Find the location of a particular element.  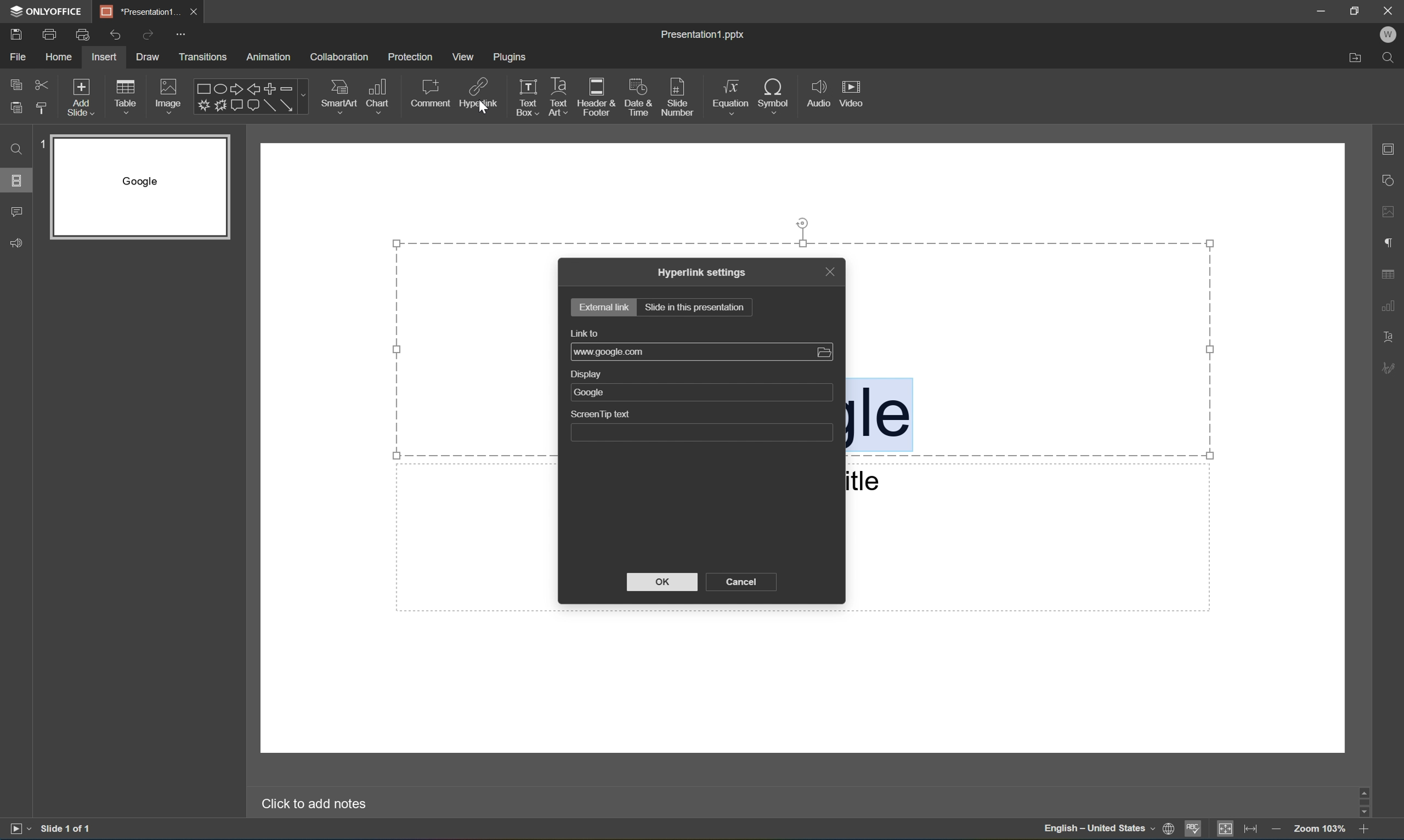

Signature settings is located at coordinates (1388, 368).